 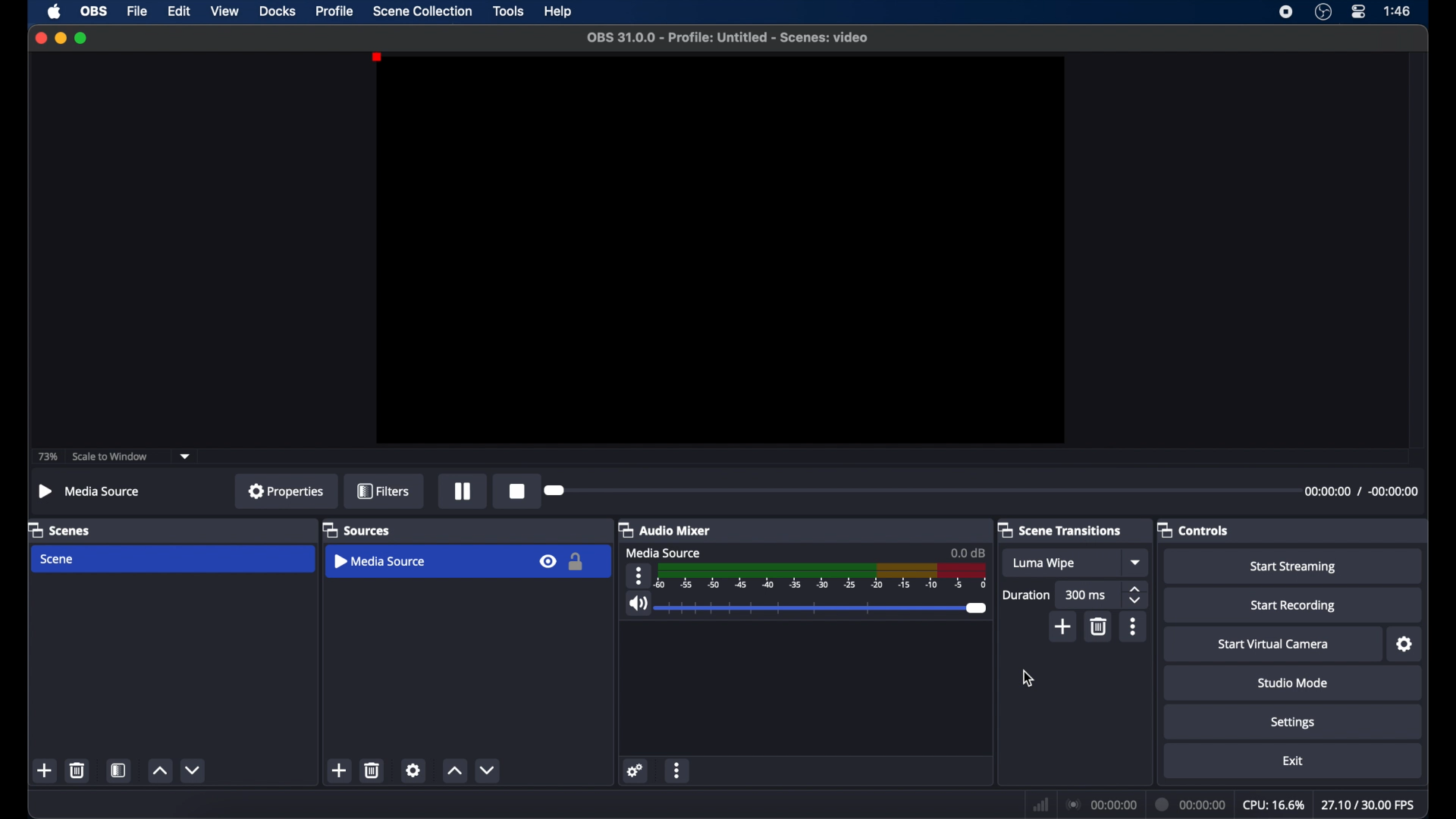 What do you see at coordinates (1294, 761) in the screenshot?
I see `exit` at bounding box center [1294, 761].